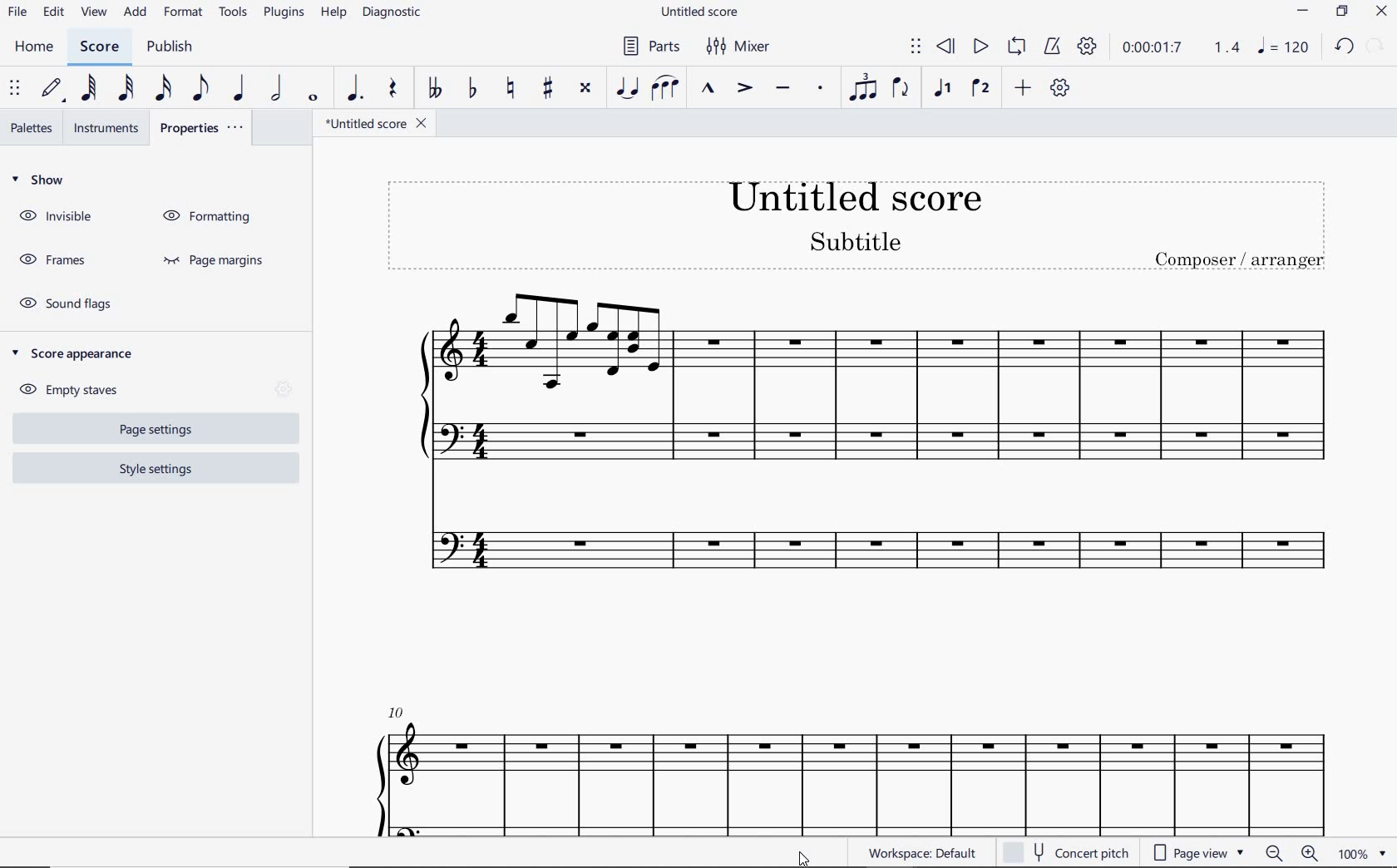  What do you see at coordinates (41, 180) in the screenshot?
I see `SHOW` at bounding box center [41, 180].